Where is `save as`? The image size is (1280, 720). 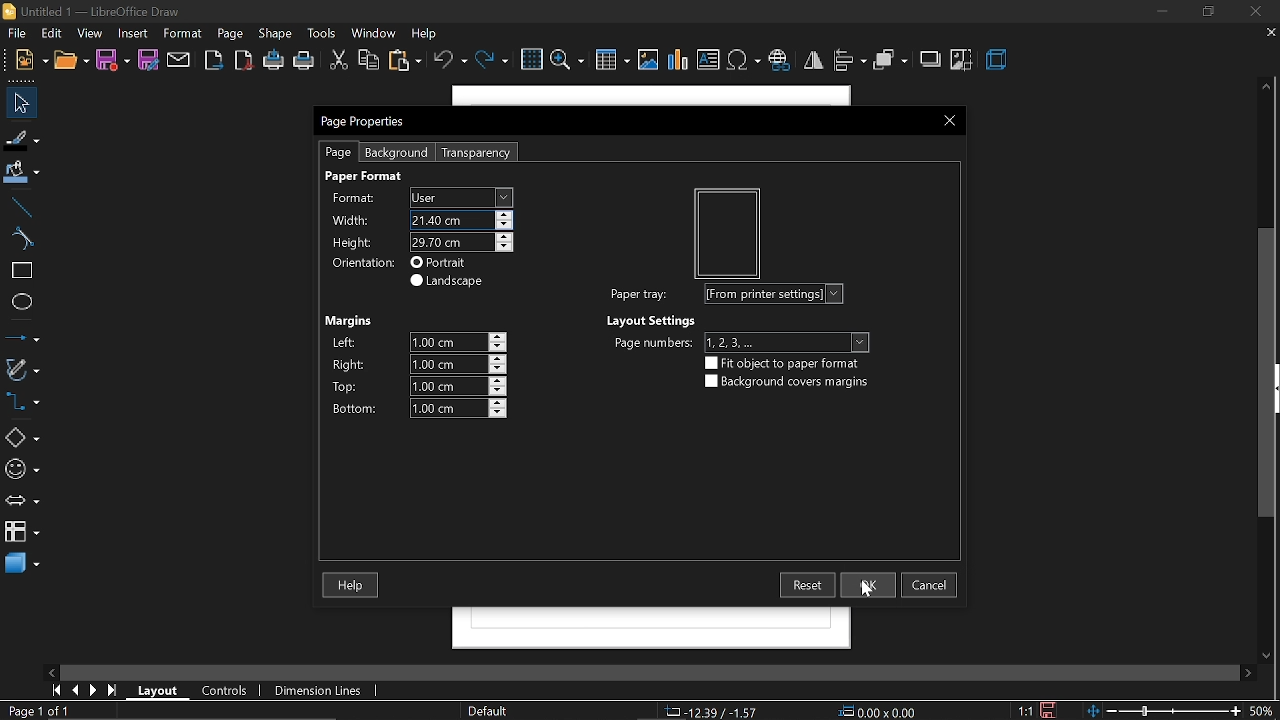
save as is located at coordinates (150, 59).